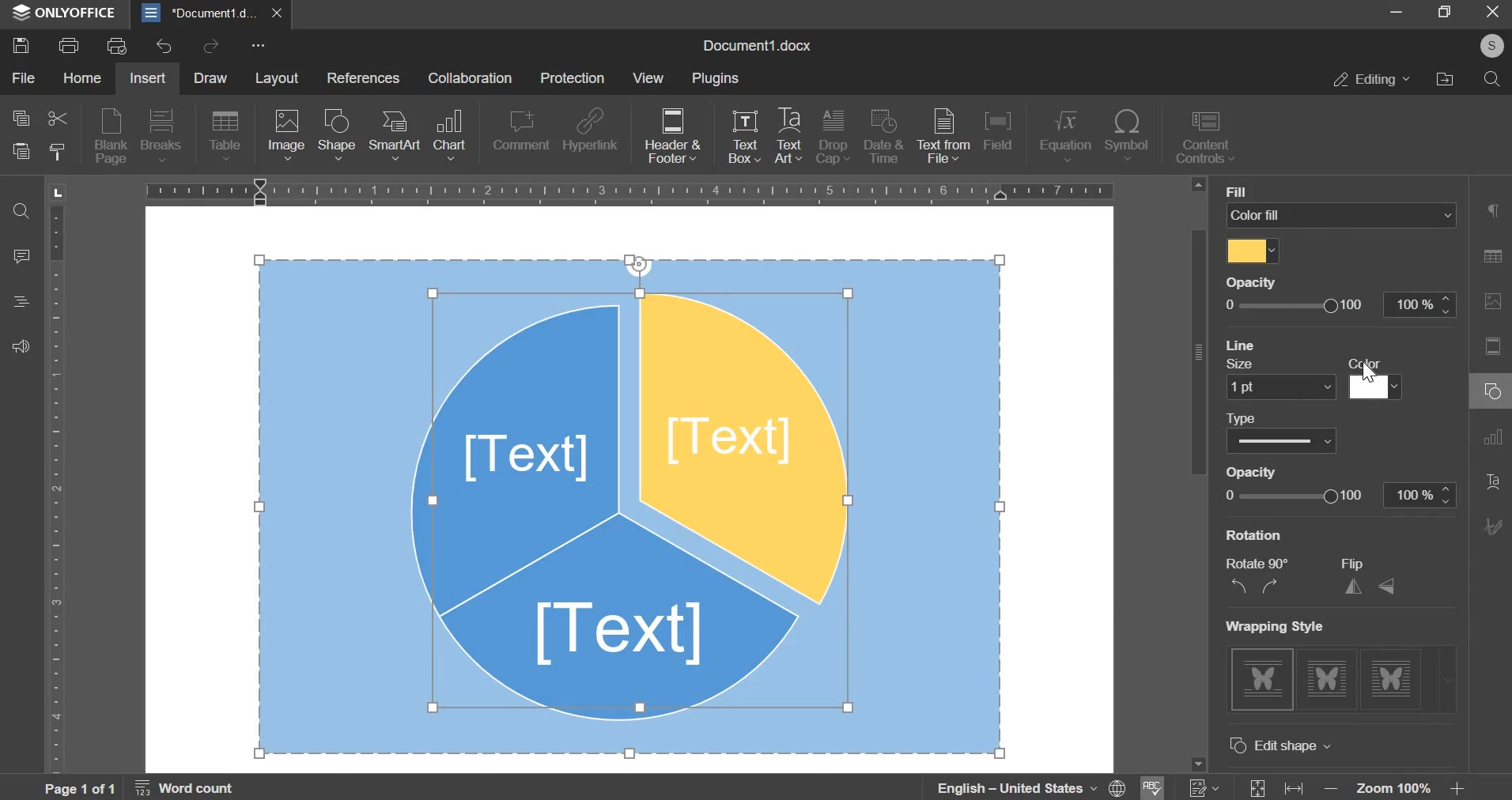 The width and height of the screenshot is (1512, 800). I want to click on , so click(1242, 192).